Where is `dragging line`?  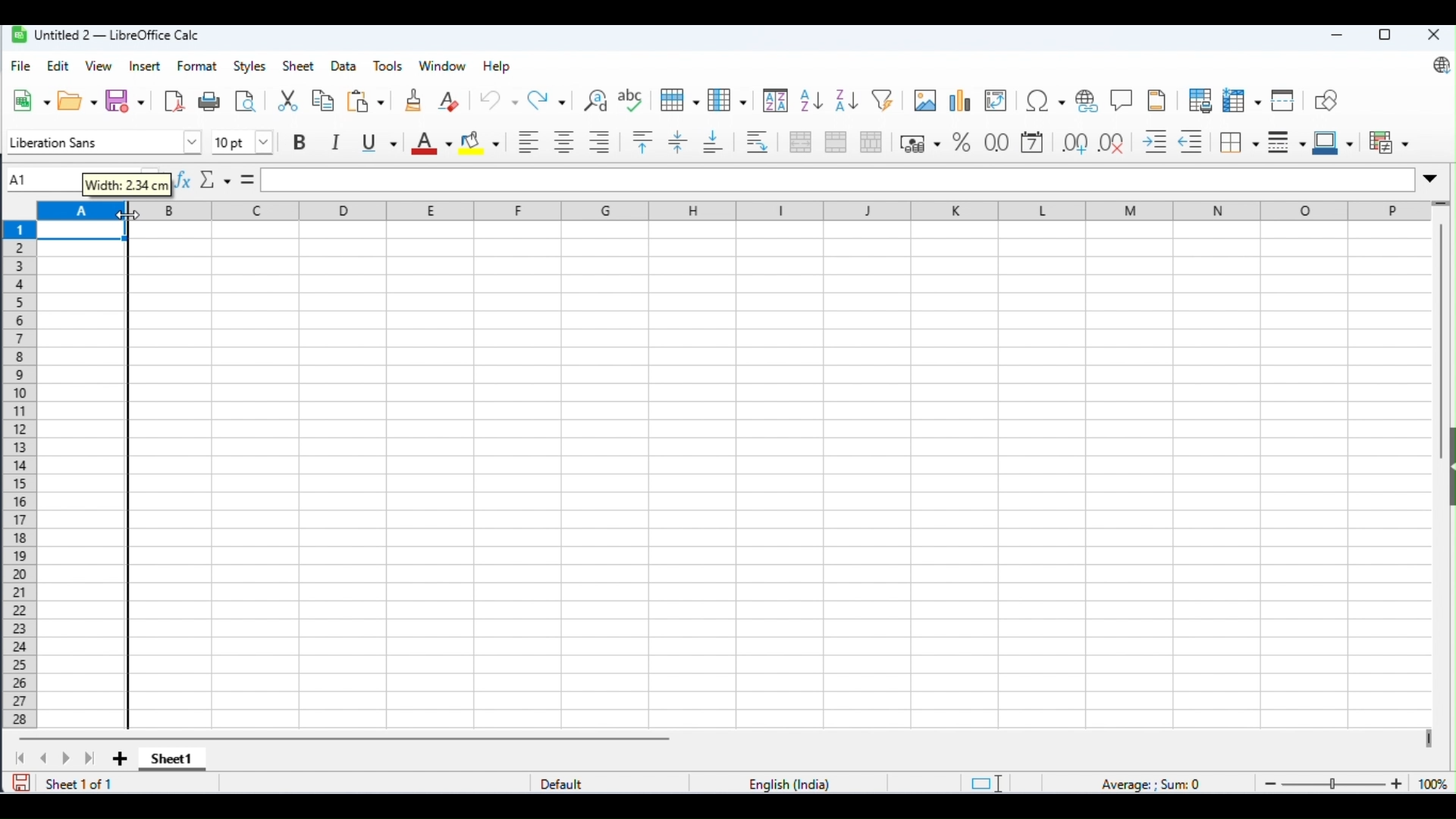
dragging line is located at coordinates (130, 466).